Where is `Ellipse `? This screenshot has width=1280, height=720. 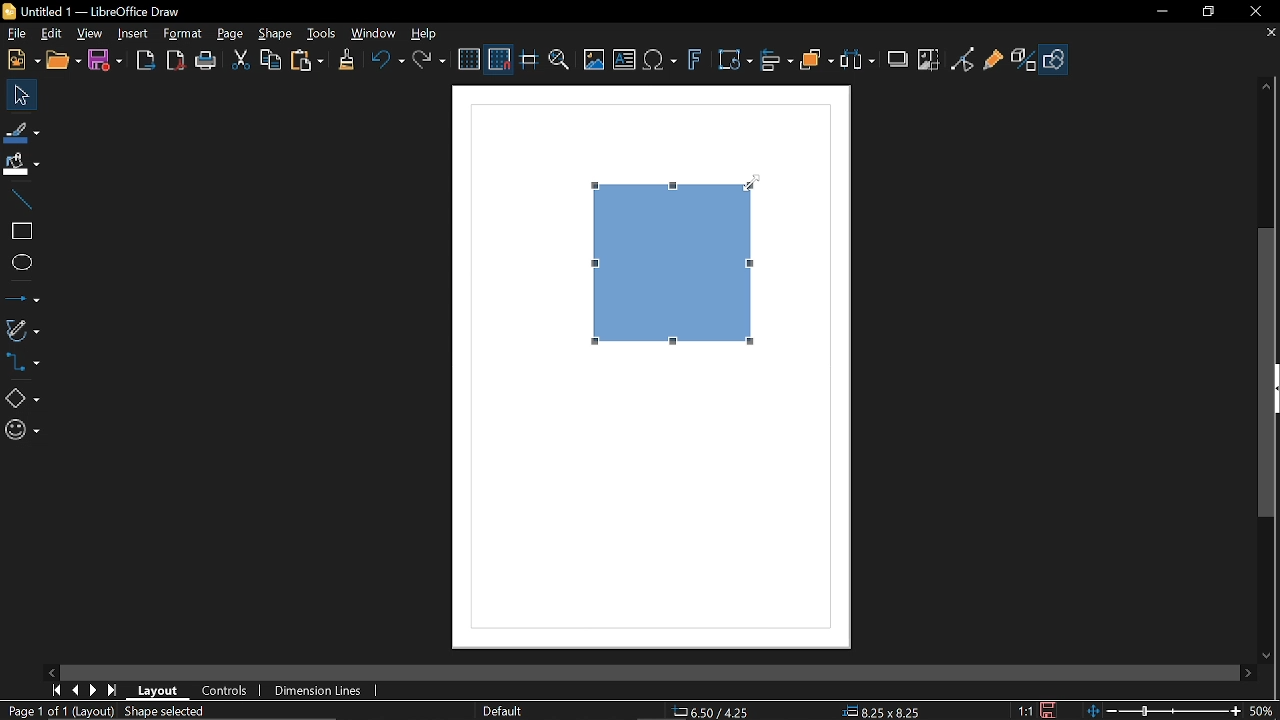 Ellipse  is located at coordinates (20, 263).